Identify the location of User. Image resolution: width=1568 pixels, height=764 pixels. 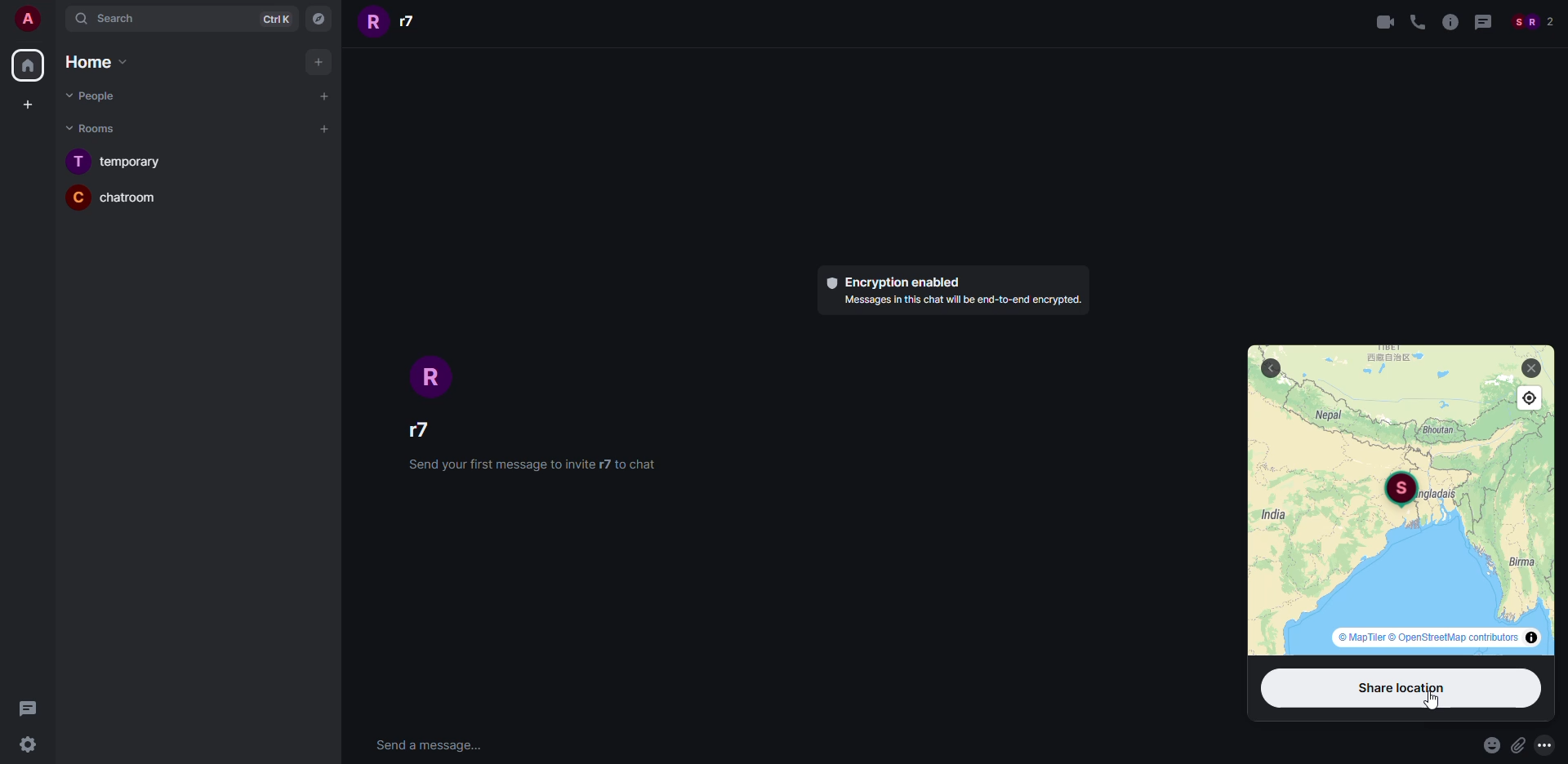
(24, 18).